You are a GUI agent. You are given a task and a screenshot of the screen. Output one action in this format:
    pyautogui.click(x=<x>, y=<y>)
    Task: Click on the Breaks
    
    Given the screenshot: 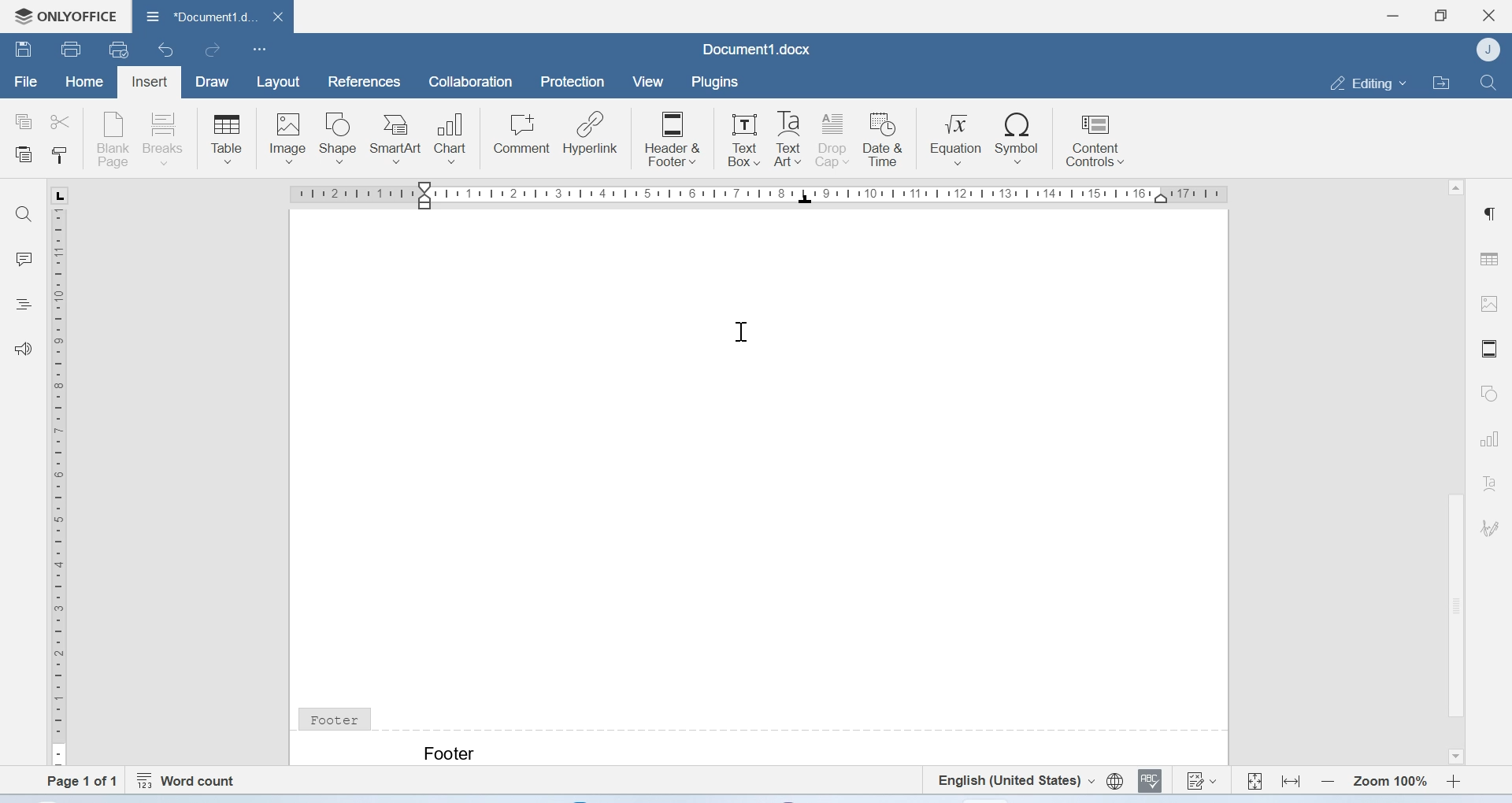 What is the action you would take?
    pyautogui.click(x=168, y=138)
    